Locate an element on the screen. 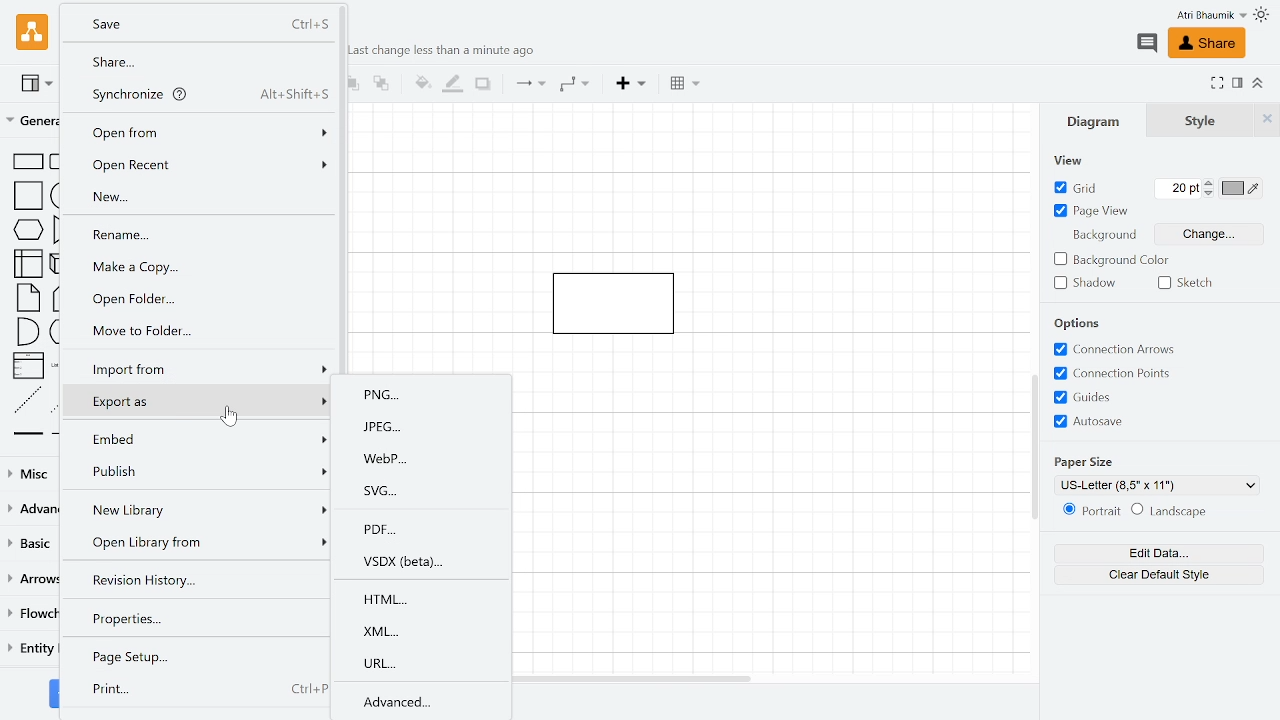  Change background is located at coordinates (1208, 234).